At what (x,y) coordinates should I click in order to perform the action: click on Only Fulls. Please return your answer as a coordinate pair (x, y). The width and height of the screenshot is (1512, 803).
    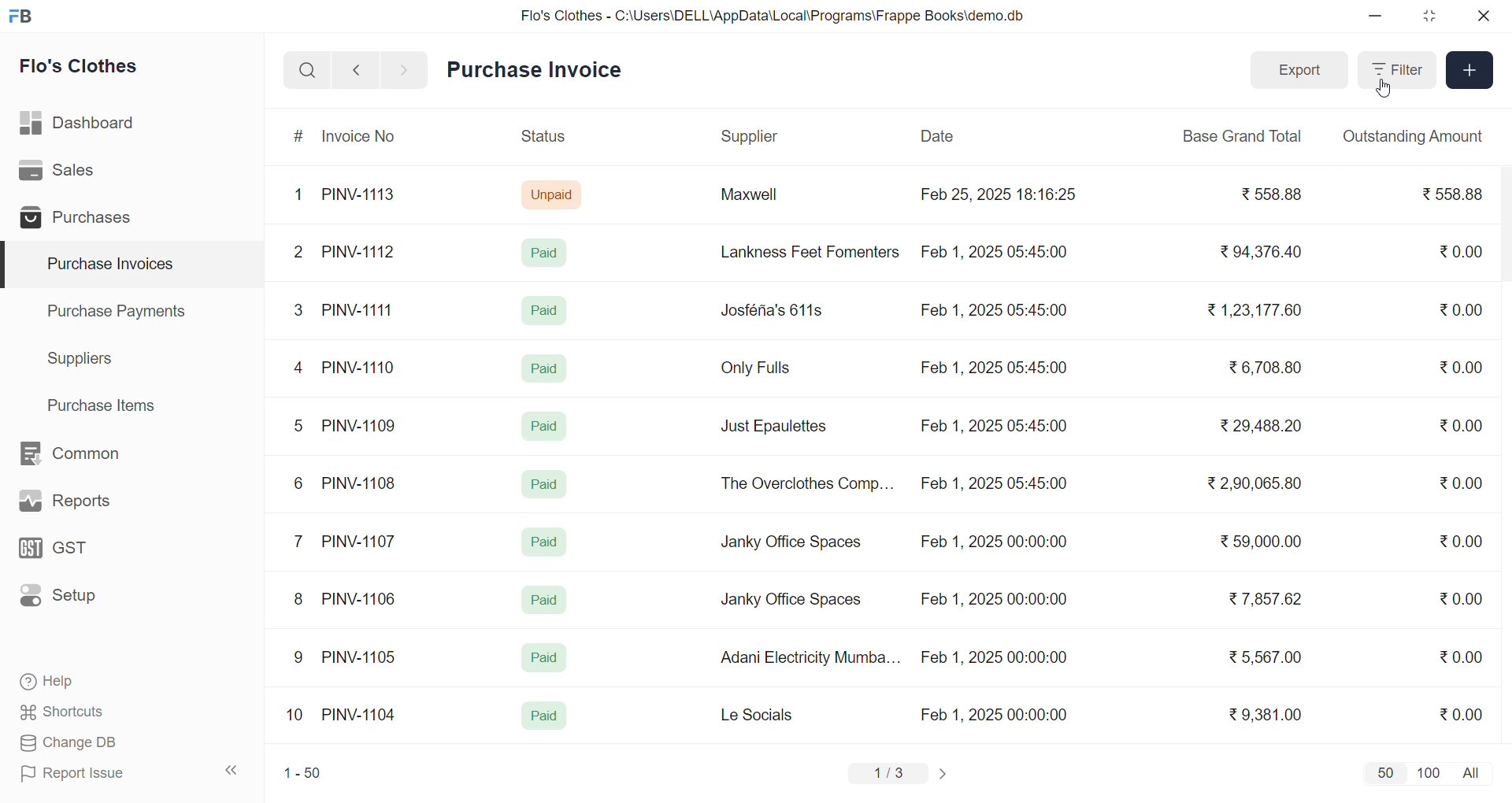
    Looking at the image, I should click on (762, 372).